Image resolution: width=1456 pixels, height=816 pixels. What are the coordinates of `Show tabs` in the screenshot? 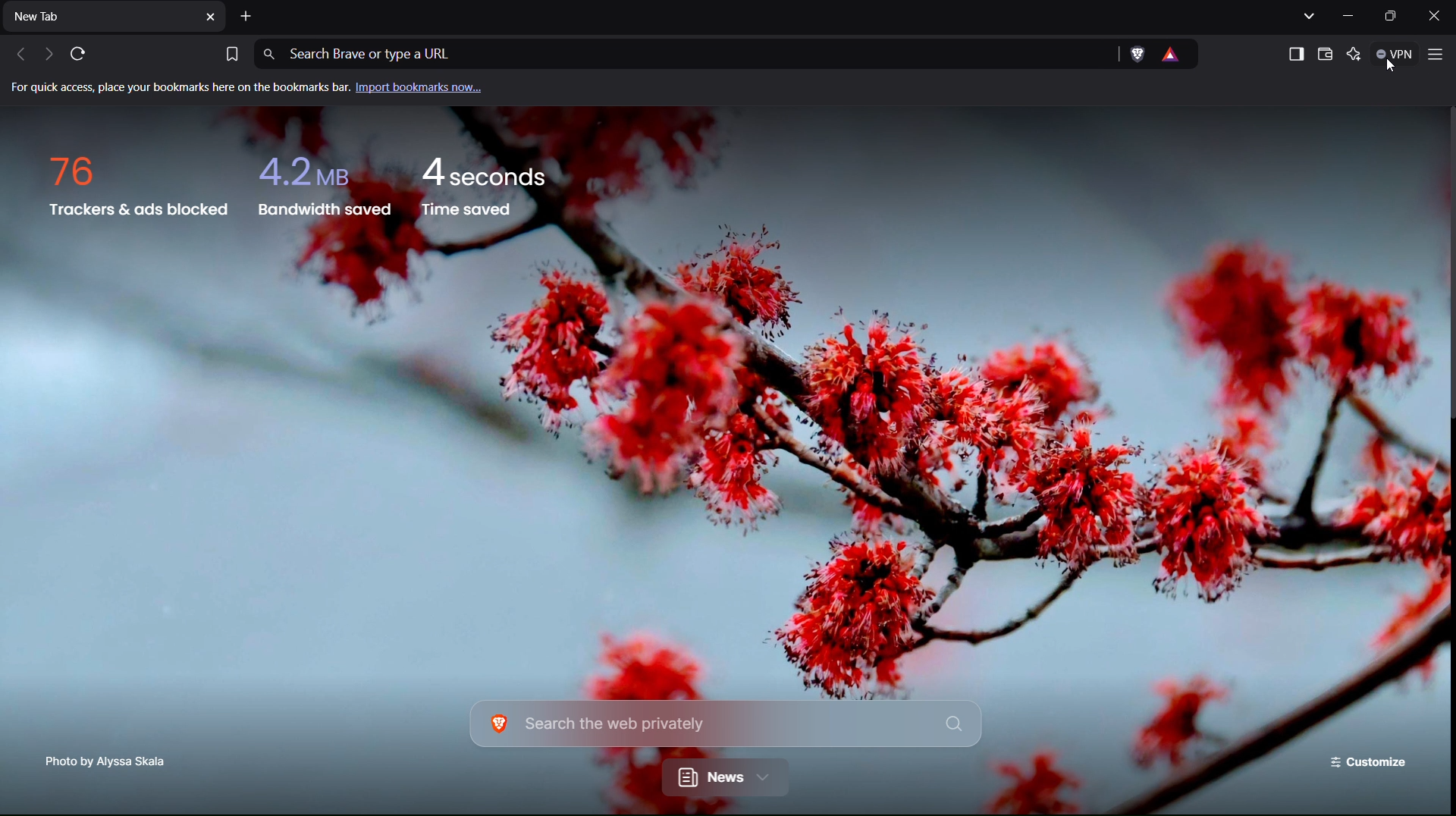 It's located at (1309, 17).